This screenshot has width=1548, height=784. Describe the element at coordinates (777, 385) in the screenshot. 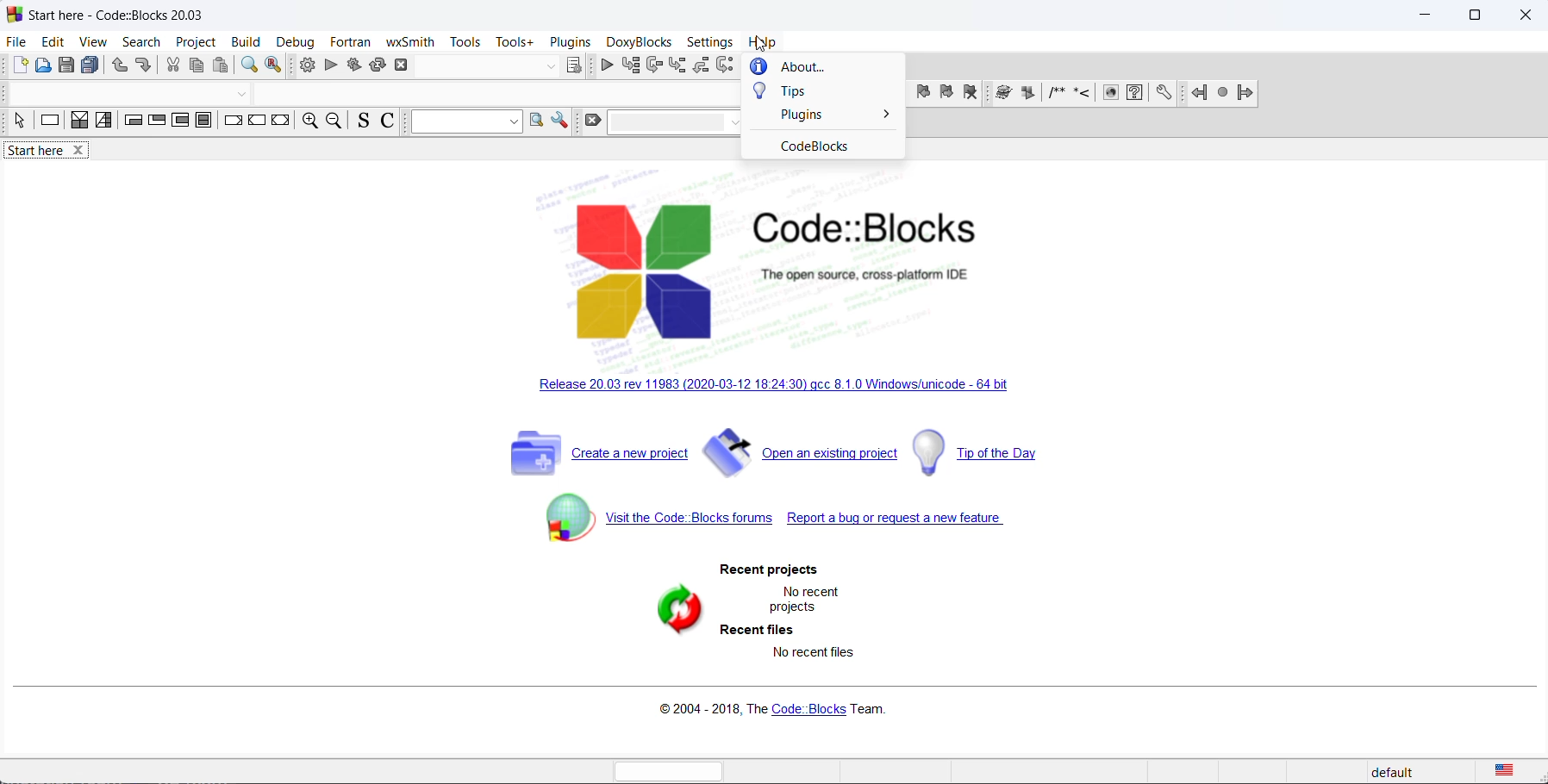

I see `new release` at that location.